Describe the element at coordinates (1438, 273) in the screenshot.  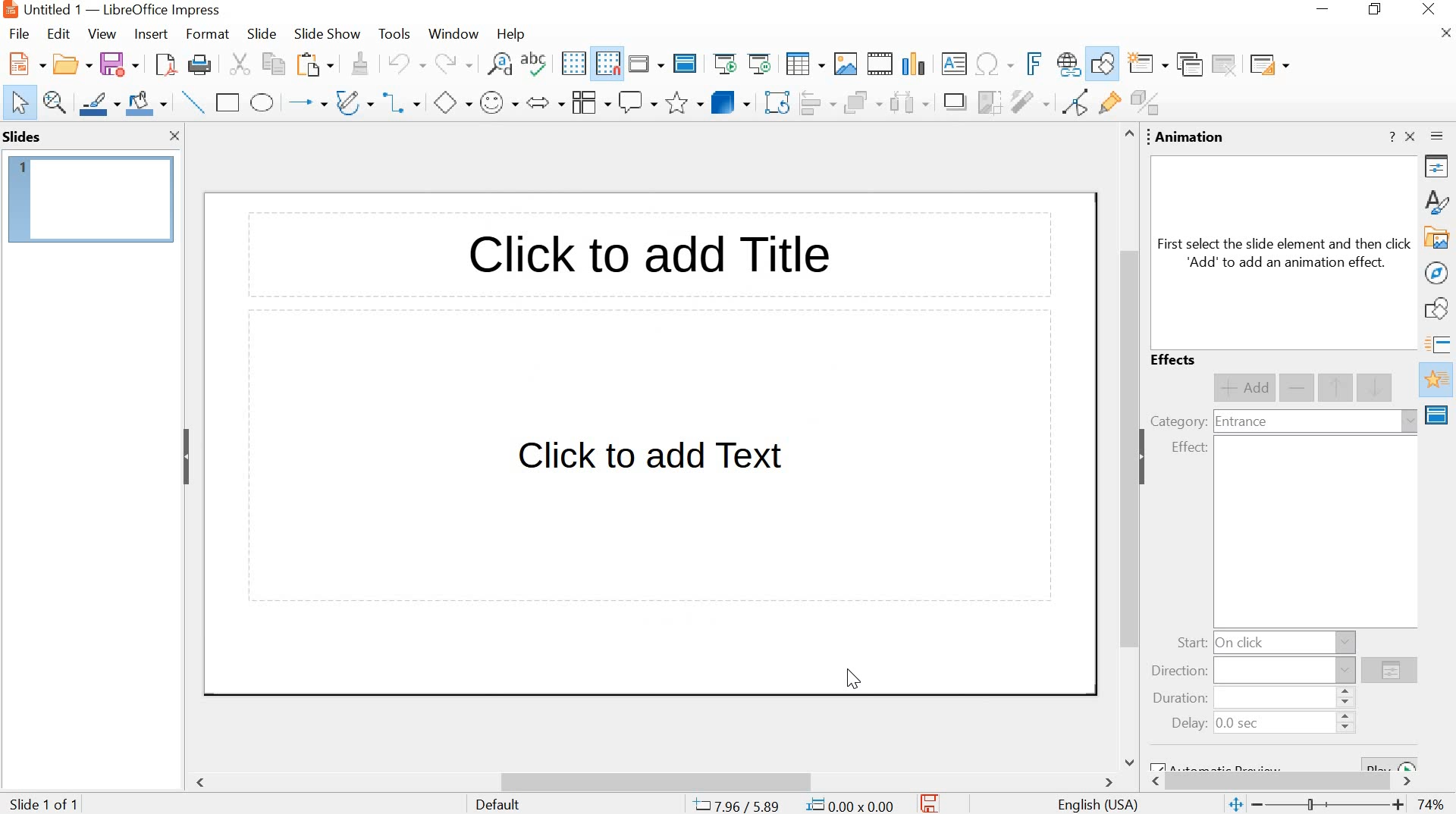
I see `navigate` at that location.